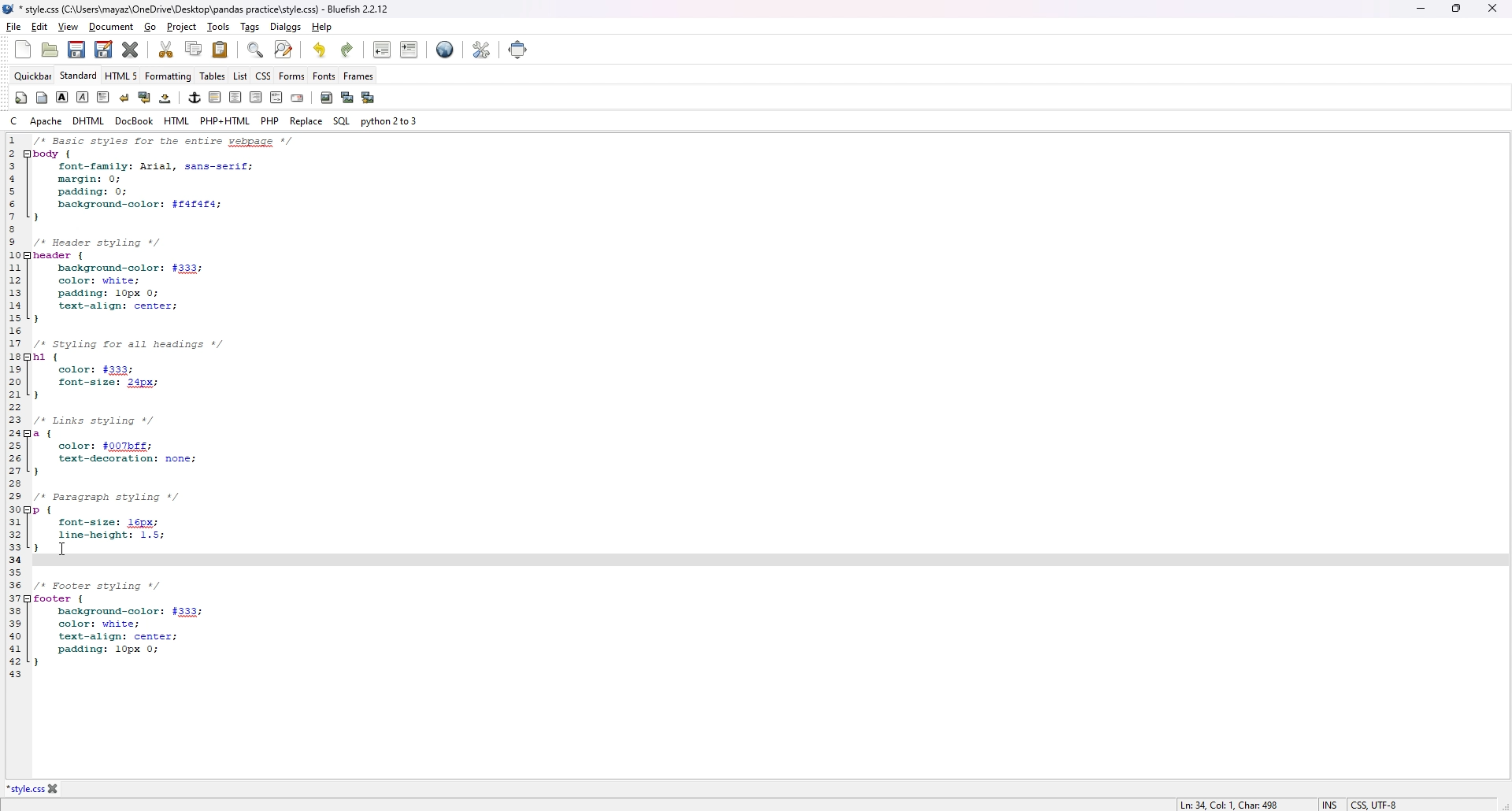 The height and width of the screenshot is (811, 1512). What do you see at coordinates (444, 50) in the screenshot?
I see `preview in browser` at bounding box center [444, 50].